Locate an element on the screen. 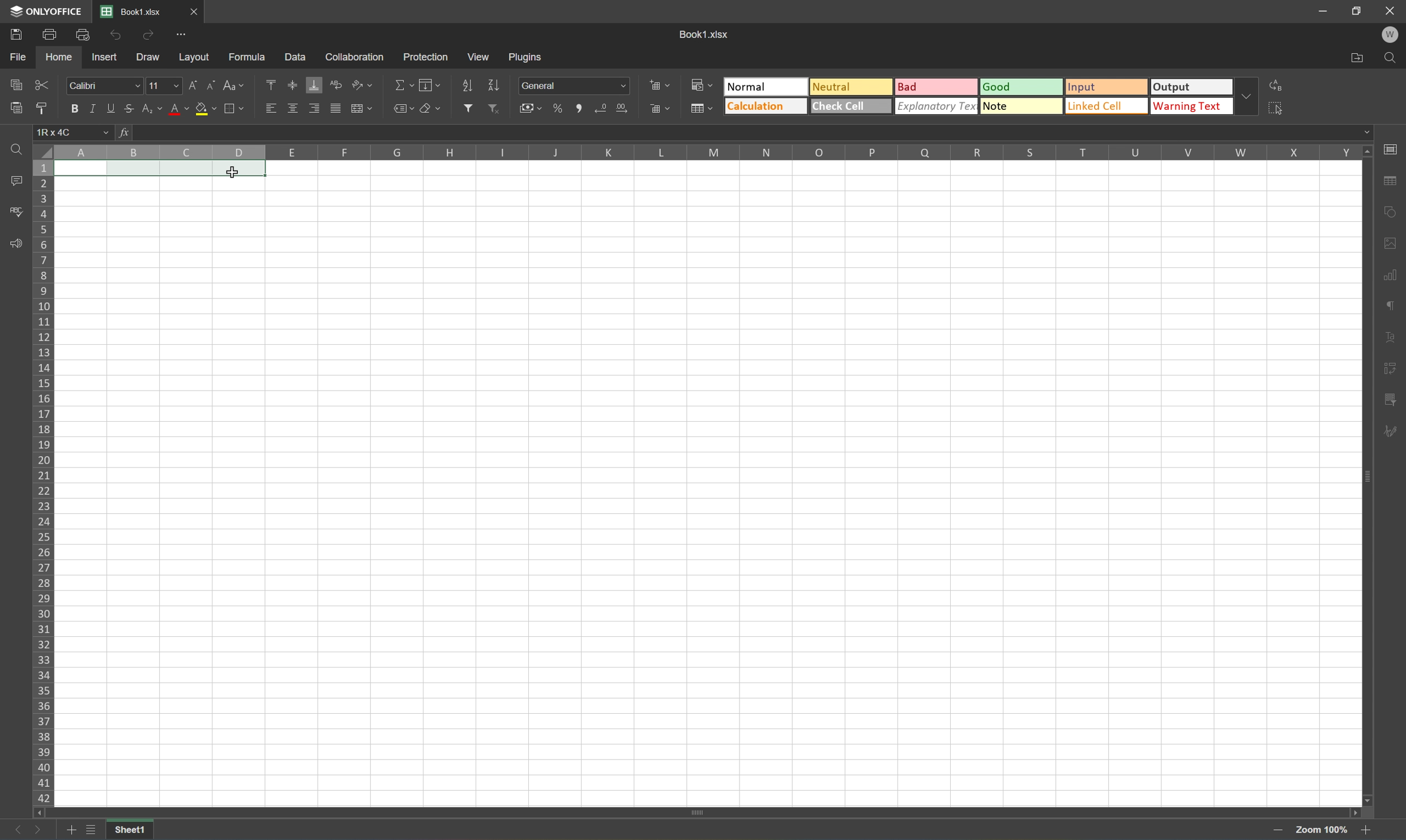 The image size is (1406, 840). Conditional formatting is located at coordinates (702, 84).